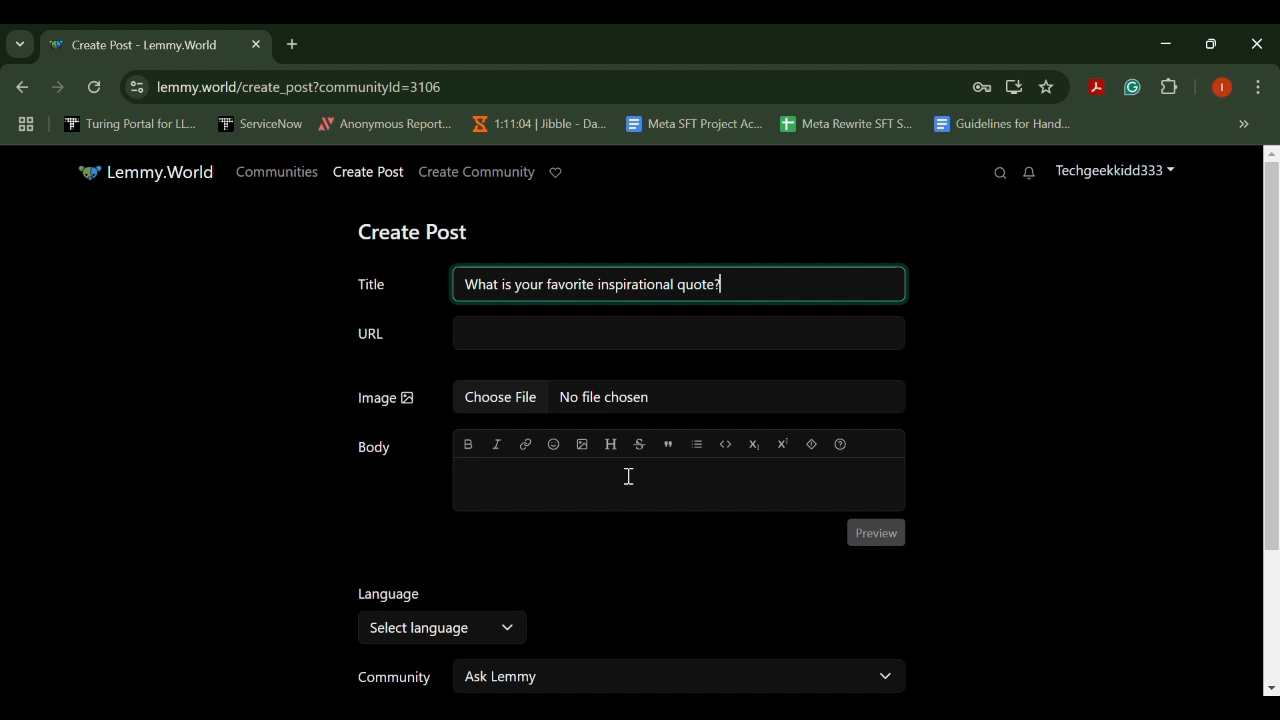 The height and width of the screenshot is (720, 1280). Describe the element at coordinates (1214, 43) in the screenshot. I see `Minimize Window` at that location.